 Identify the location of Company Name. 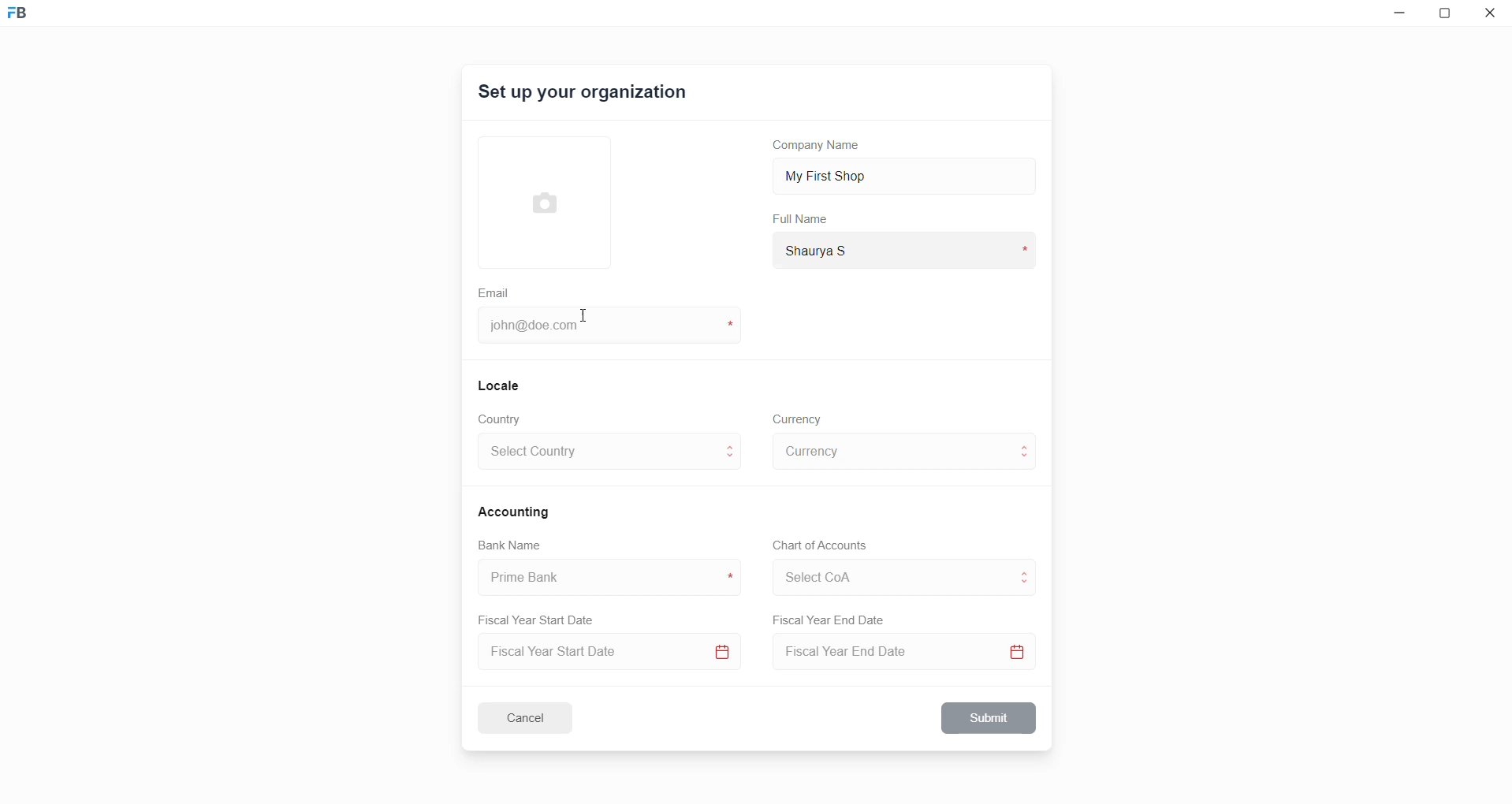
(822, 147).